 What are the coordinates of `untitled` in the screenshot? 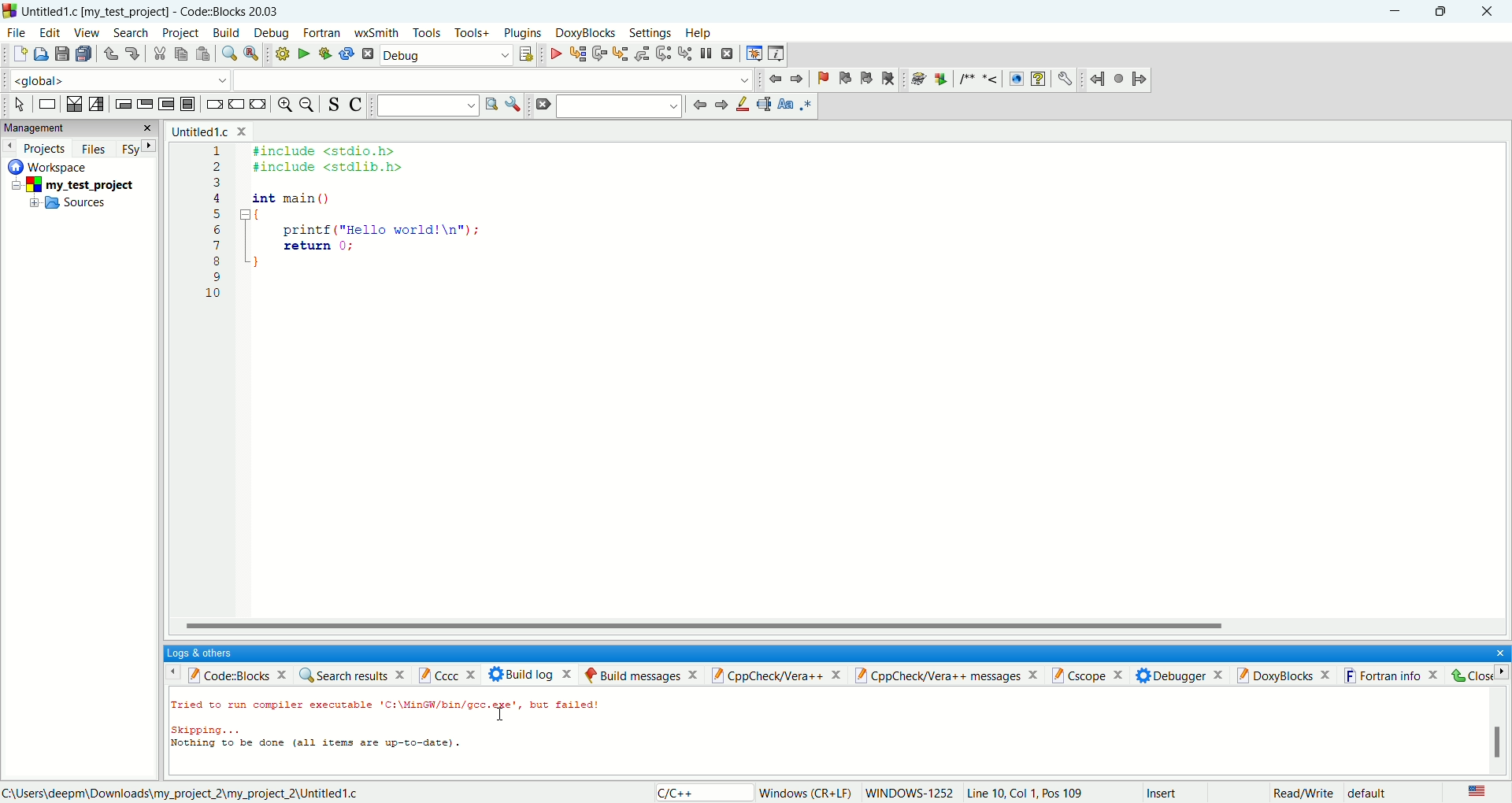 It's located at (209, 131).